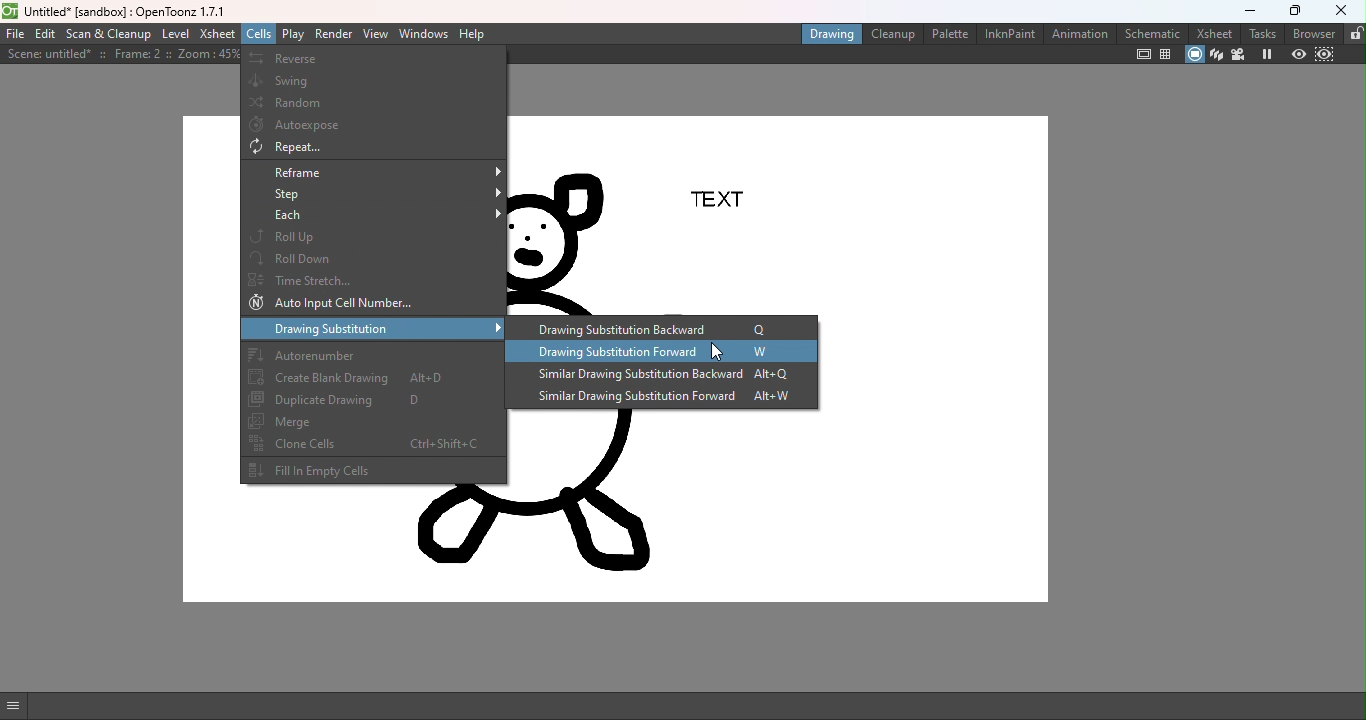 This screenshot has width=1366, height=720. Describe the element at coordinates (423, 34) in the screenshot. I see `Windows` at that location.